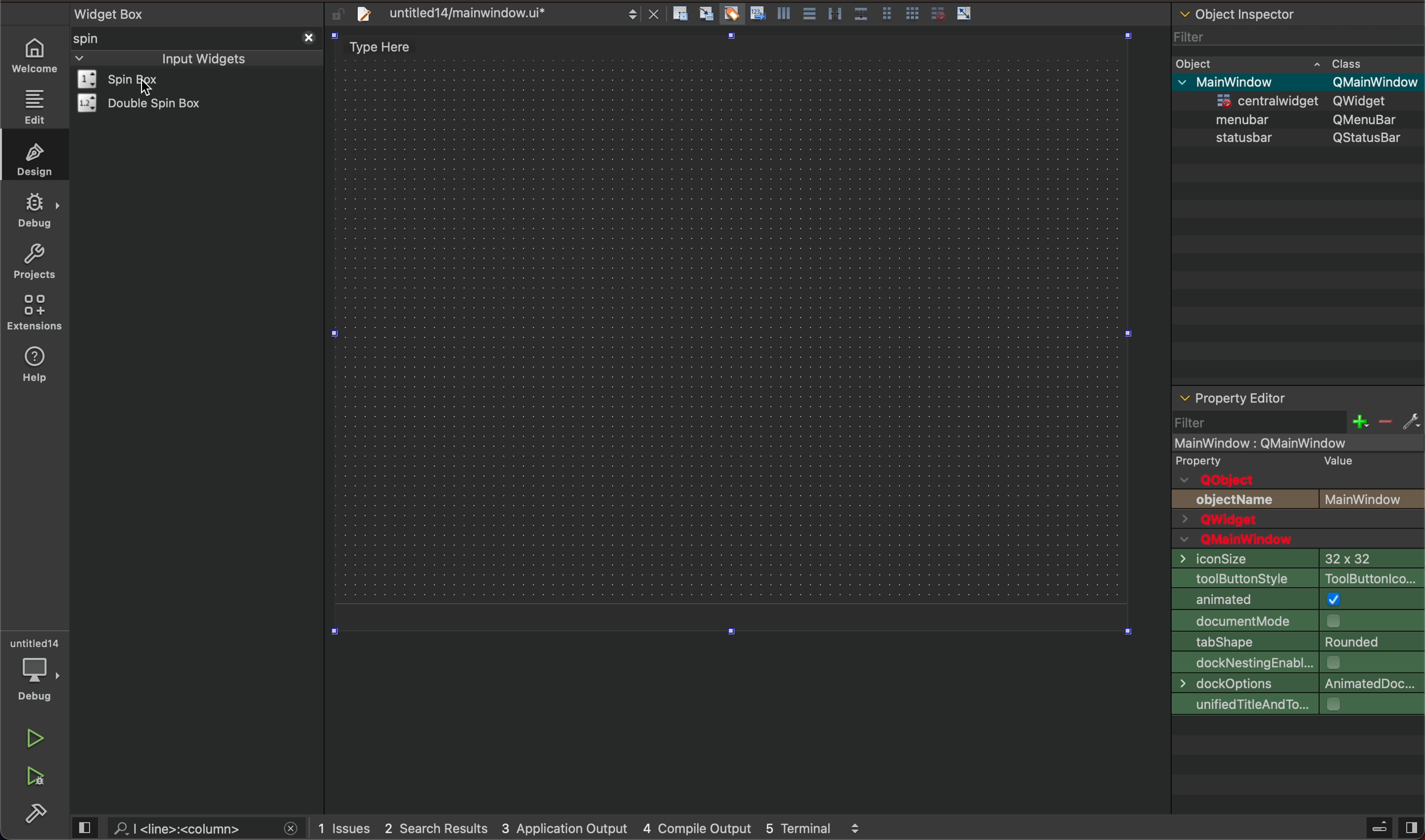 The height and width of the screenshot is (840, 1425). Describe the element at coordinates (37, 670) in the screenshot. I see `debugger` at that location.